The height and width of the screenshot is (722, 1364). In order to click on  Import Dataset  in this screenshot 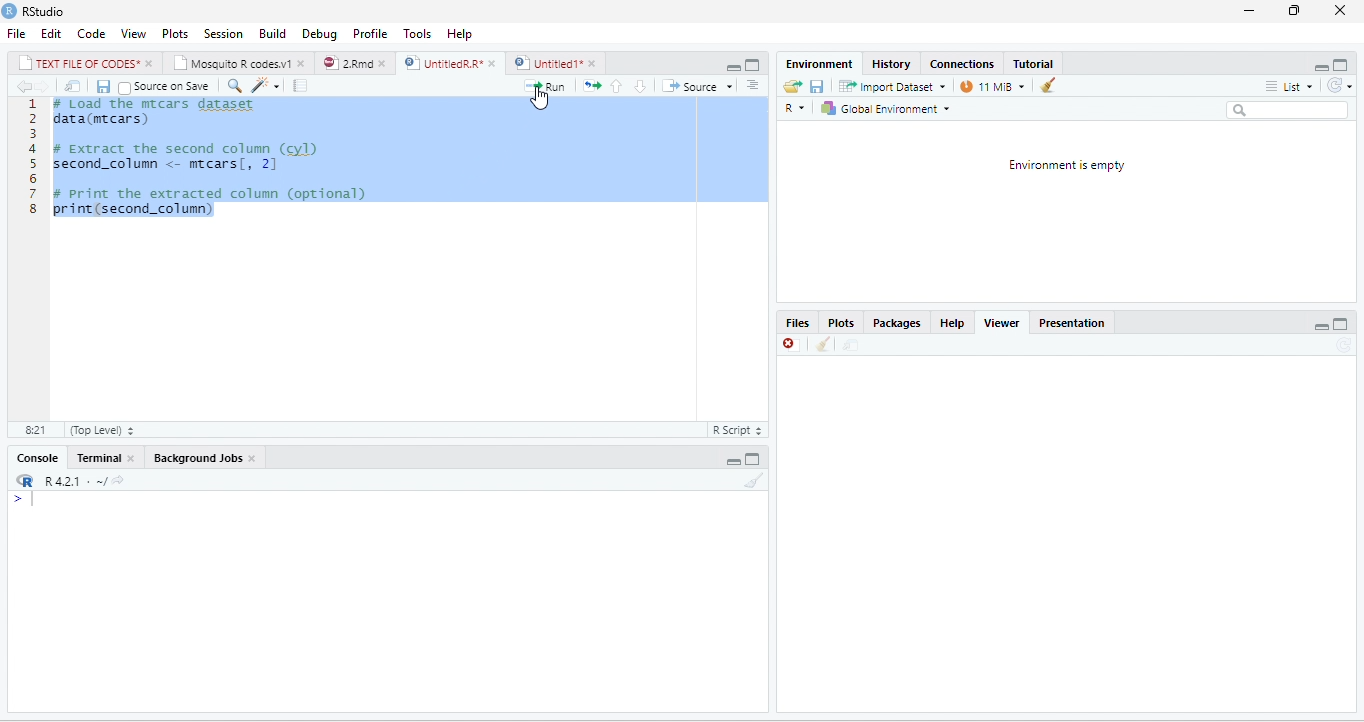, I will do `click(893, 86)`.